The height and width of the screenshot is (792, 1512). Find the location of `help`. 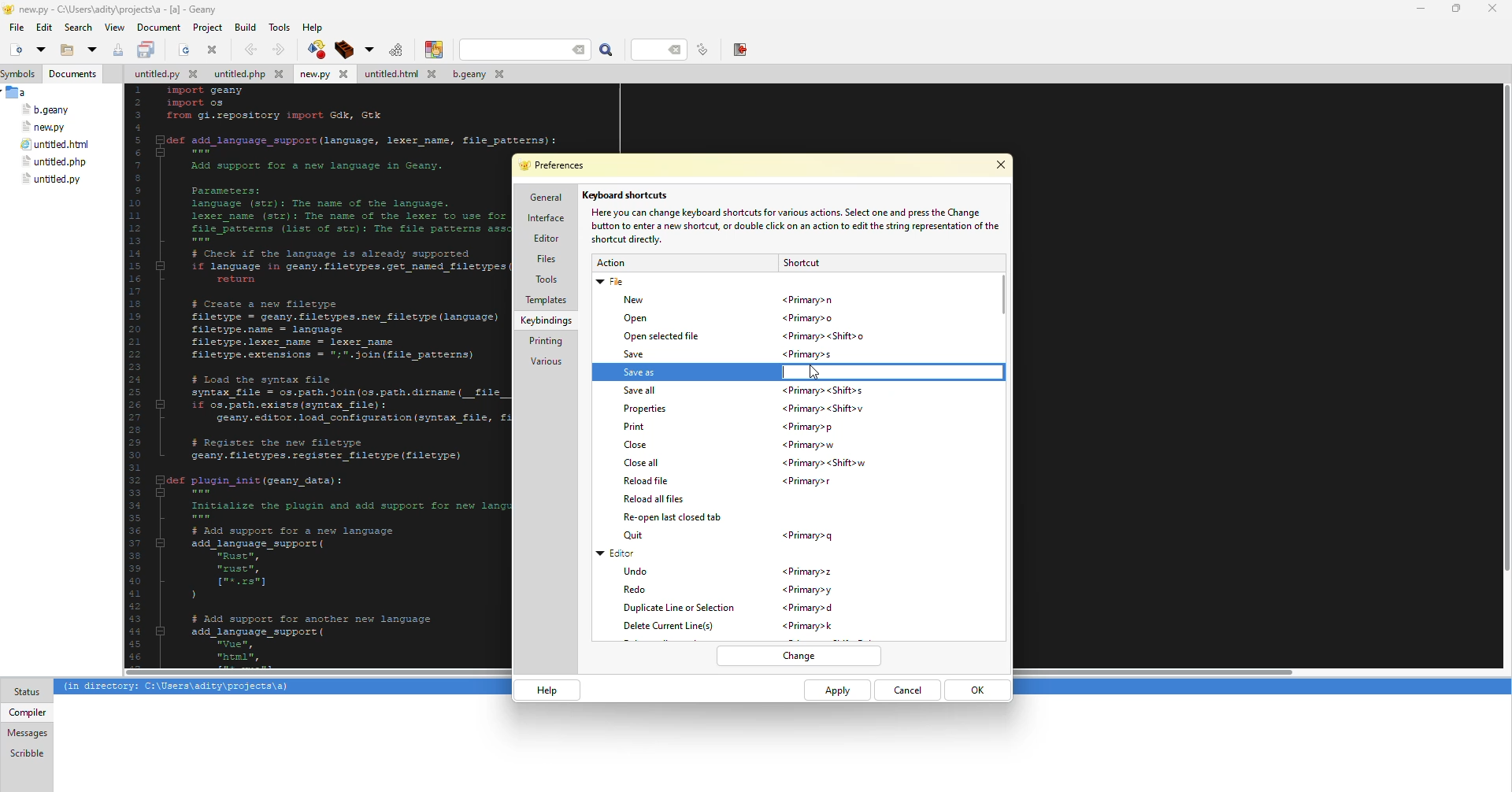

help is located at coordinates (545, 690).